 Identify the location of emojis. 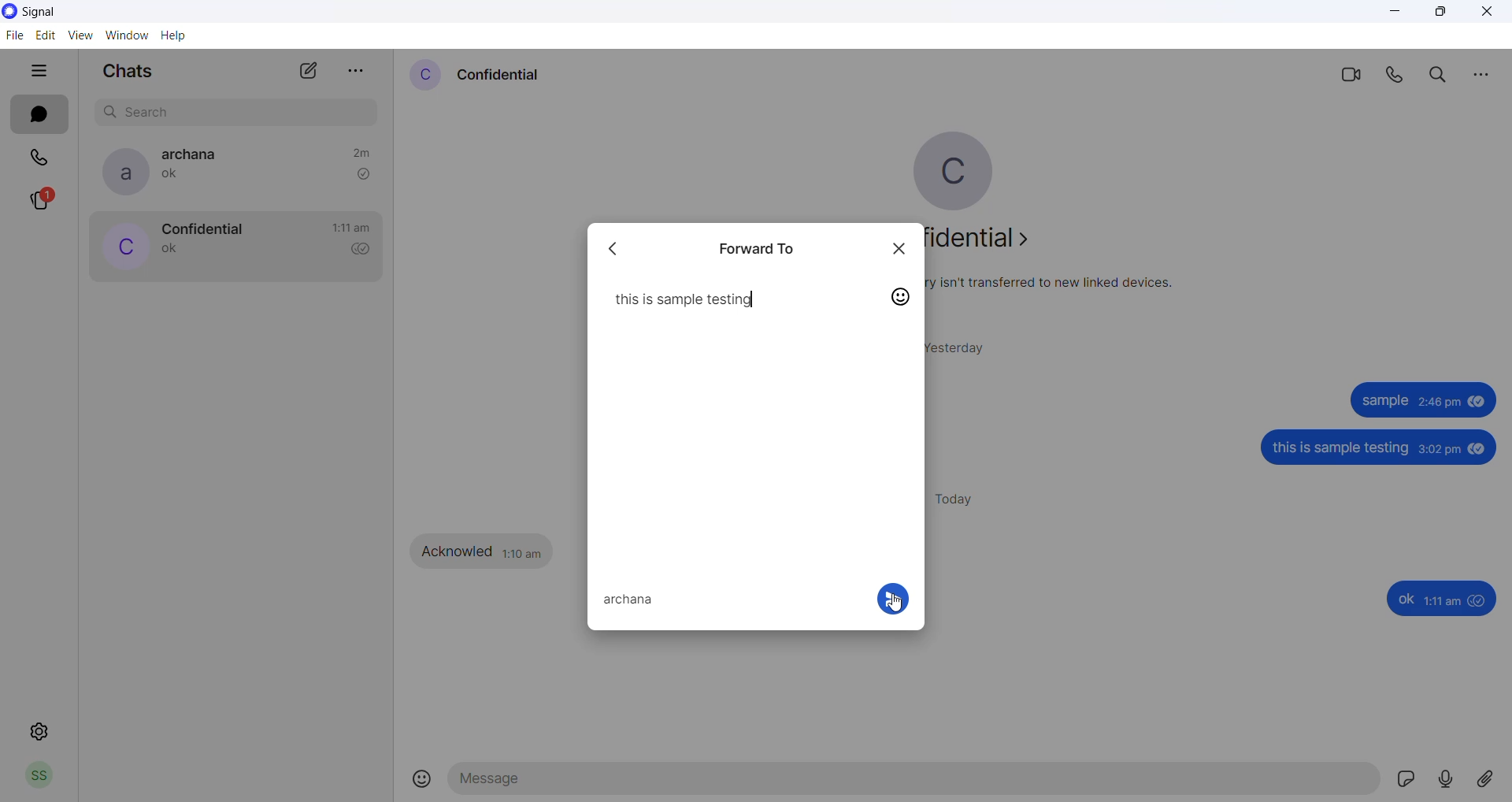
(423, 780).